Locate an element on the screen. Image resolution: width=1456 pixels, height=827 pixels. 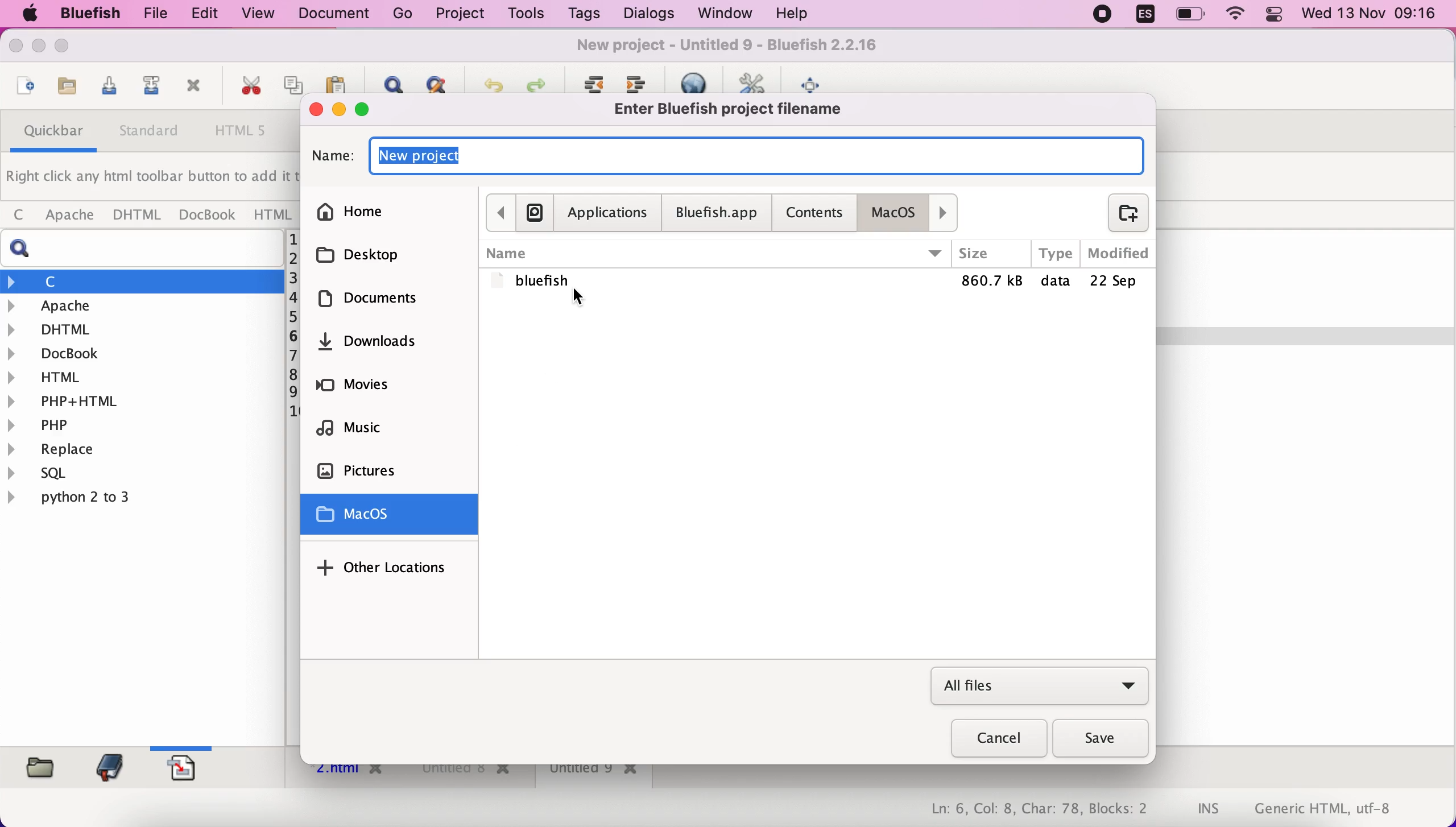
file is located at coordinates (150, 14).